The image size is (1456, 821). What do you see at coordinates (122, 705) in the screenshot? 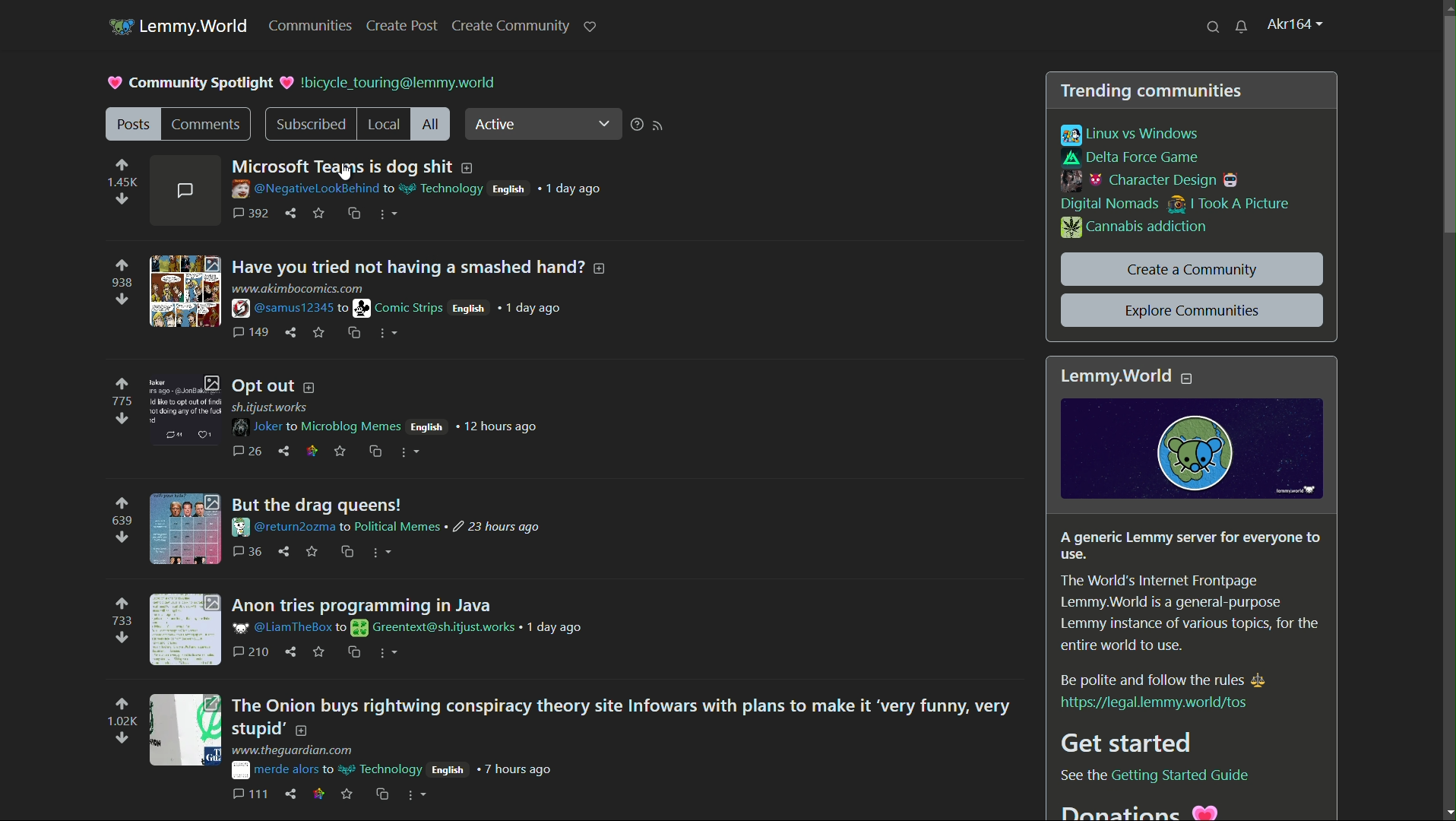
I see `upvote` at bounding box center [122, 705].